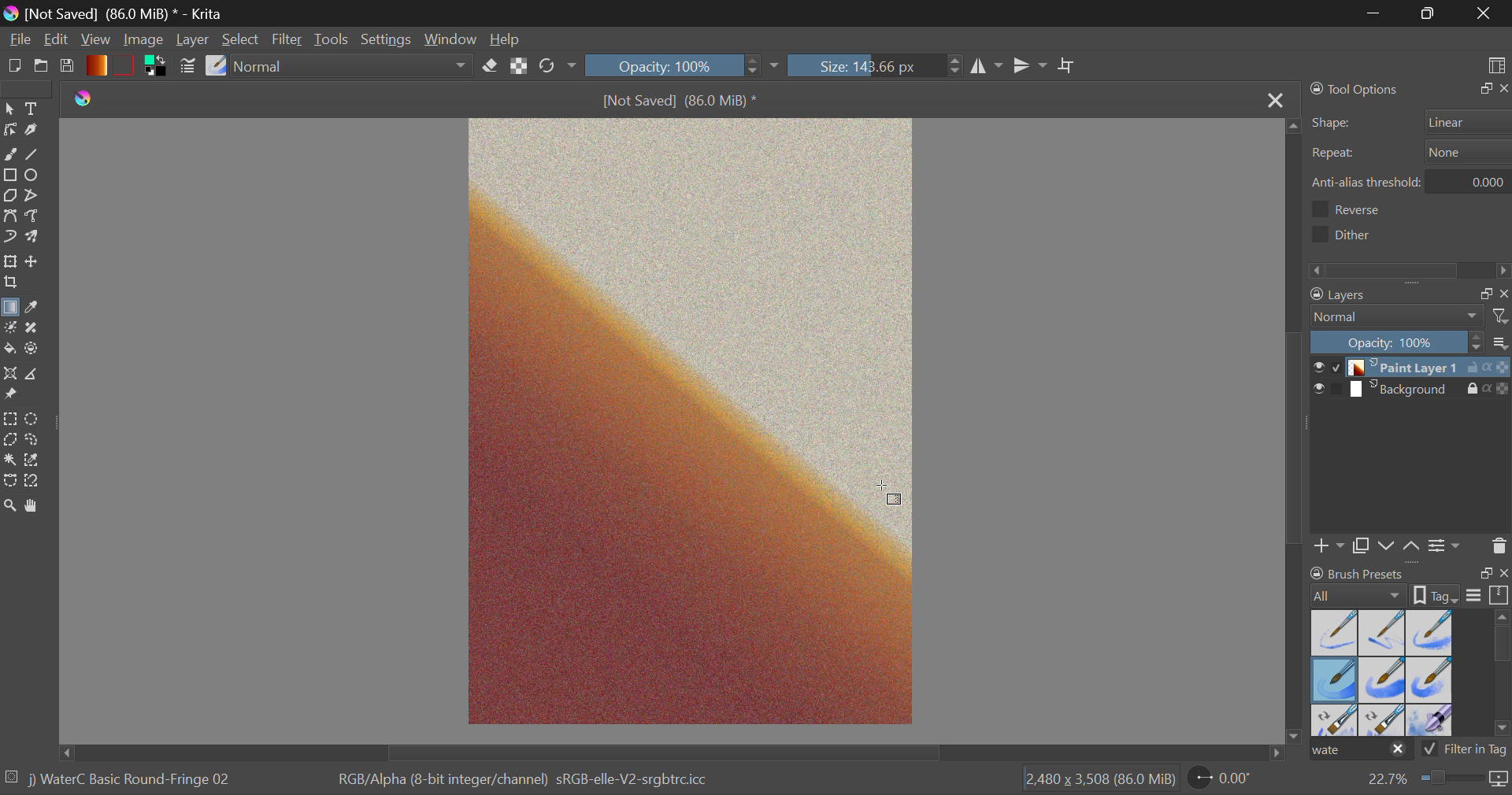 This screenshot has width=1512, height=795. What do you see at coordinates (1360, 594) in the screenshot?
I see `brush preset settings` at bounding box center [1360, 594].